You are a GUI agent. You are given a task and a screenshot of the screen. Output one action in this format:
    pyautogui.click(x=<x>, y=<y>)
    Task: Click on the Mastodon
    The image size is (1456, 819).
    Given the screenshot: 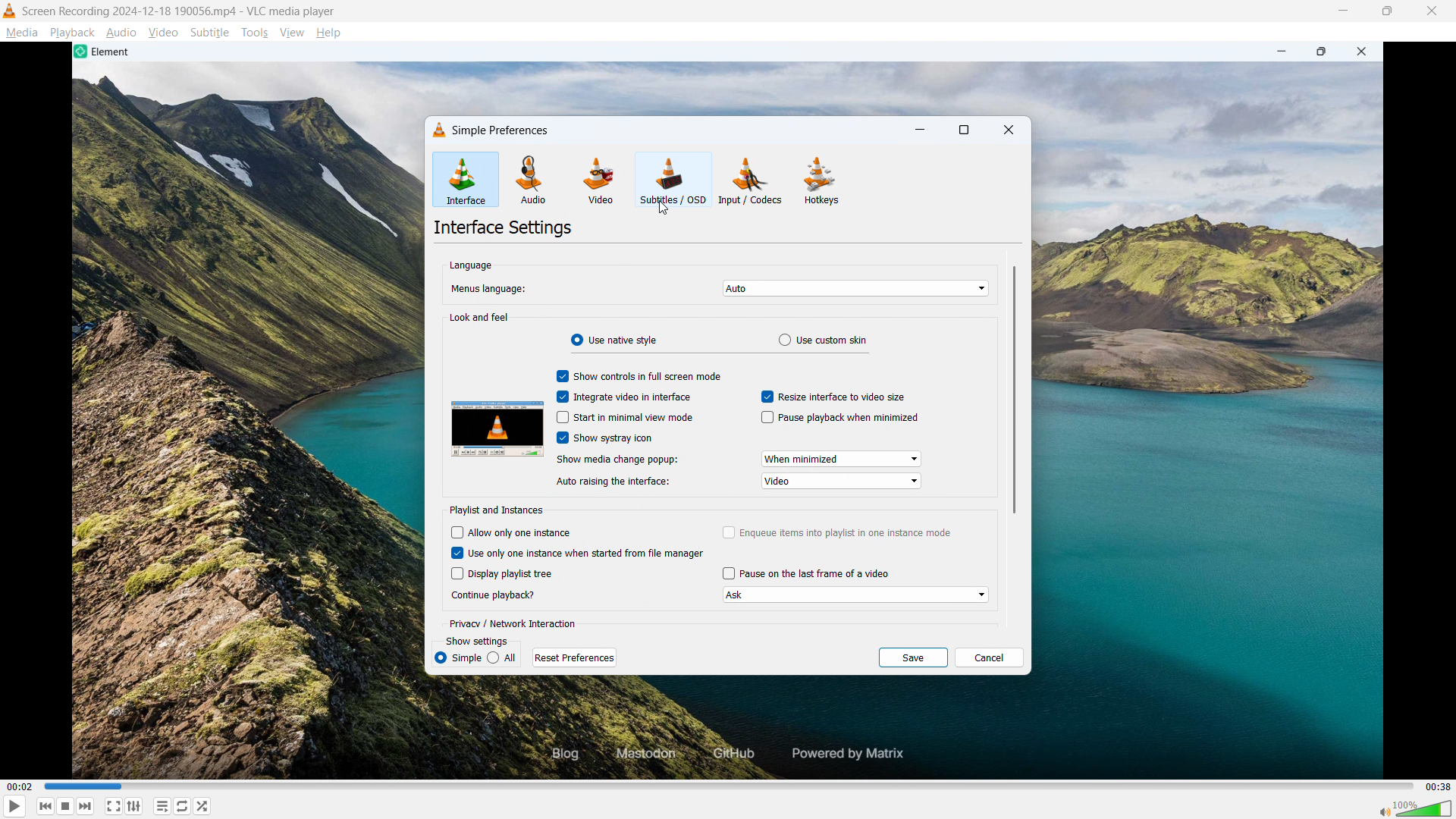 What is the action you would take?
    pyautogui.click(x=642, y=754)
    